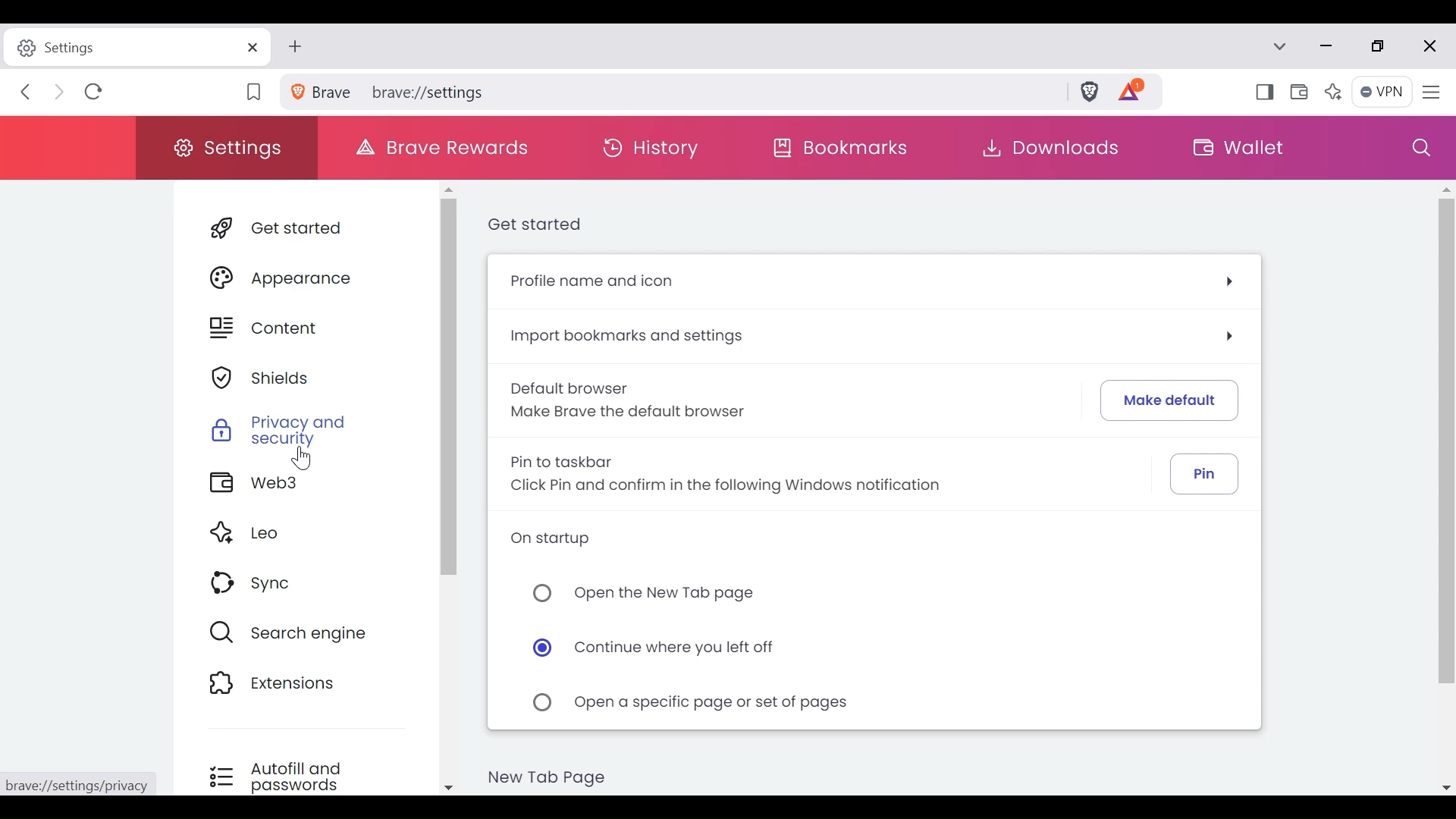  Describe the element at coordinates (1301, 93) in the screenshot. I see `Wallet` at that location.